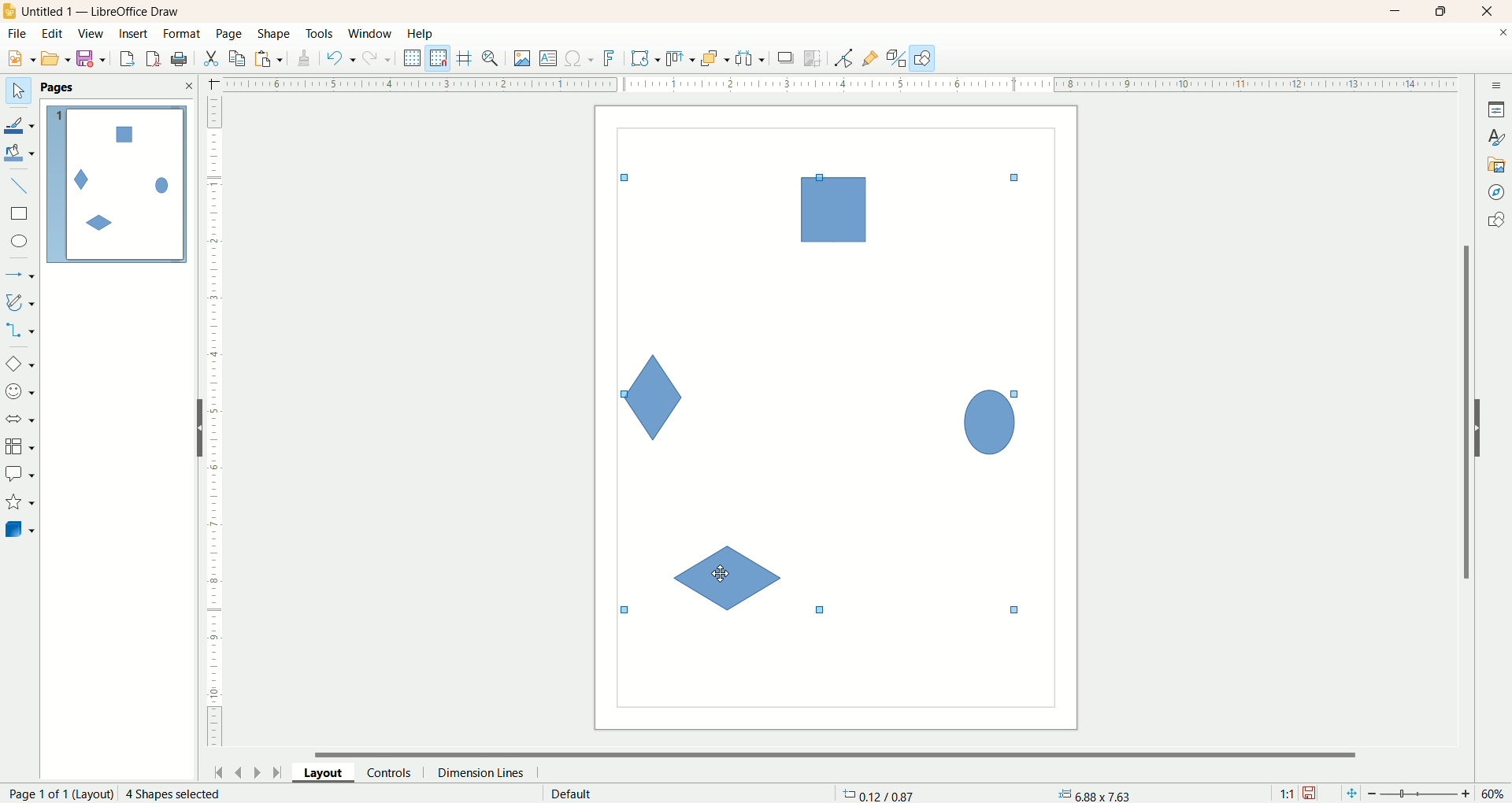 The height and width of the screenshot is (803, 1512). What do you see at coordinates (1311, 794) in the screenshot?
I see `save` at bounding box center [1311, 794].